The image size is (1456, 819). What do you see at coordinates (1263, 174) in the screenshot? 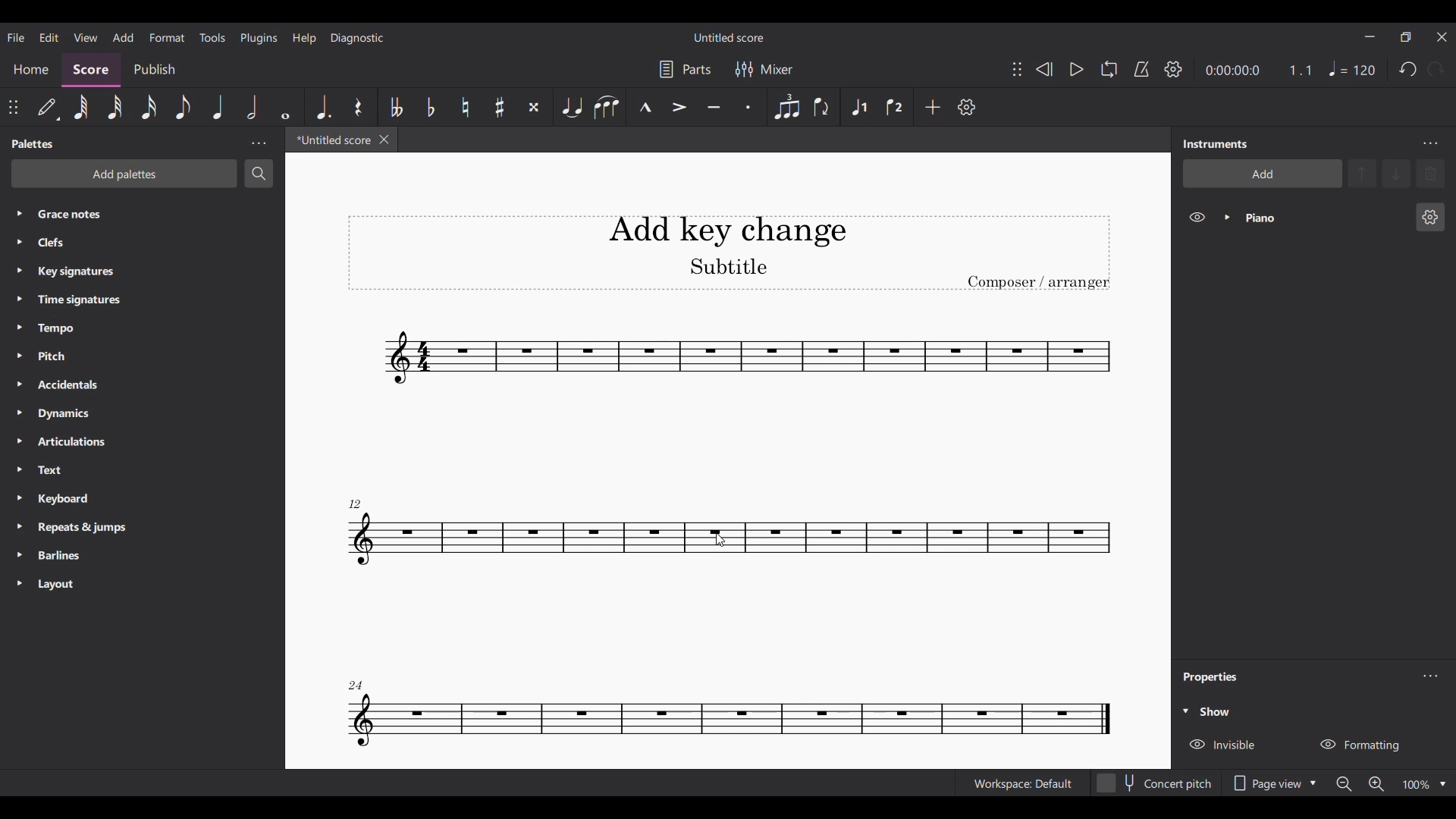
I see `Add instrument` at bounding box center [1263, 174].